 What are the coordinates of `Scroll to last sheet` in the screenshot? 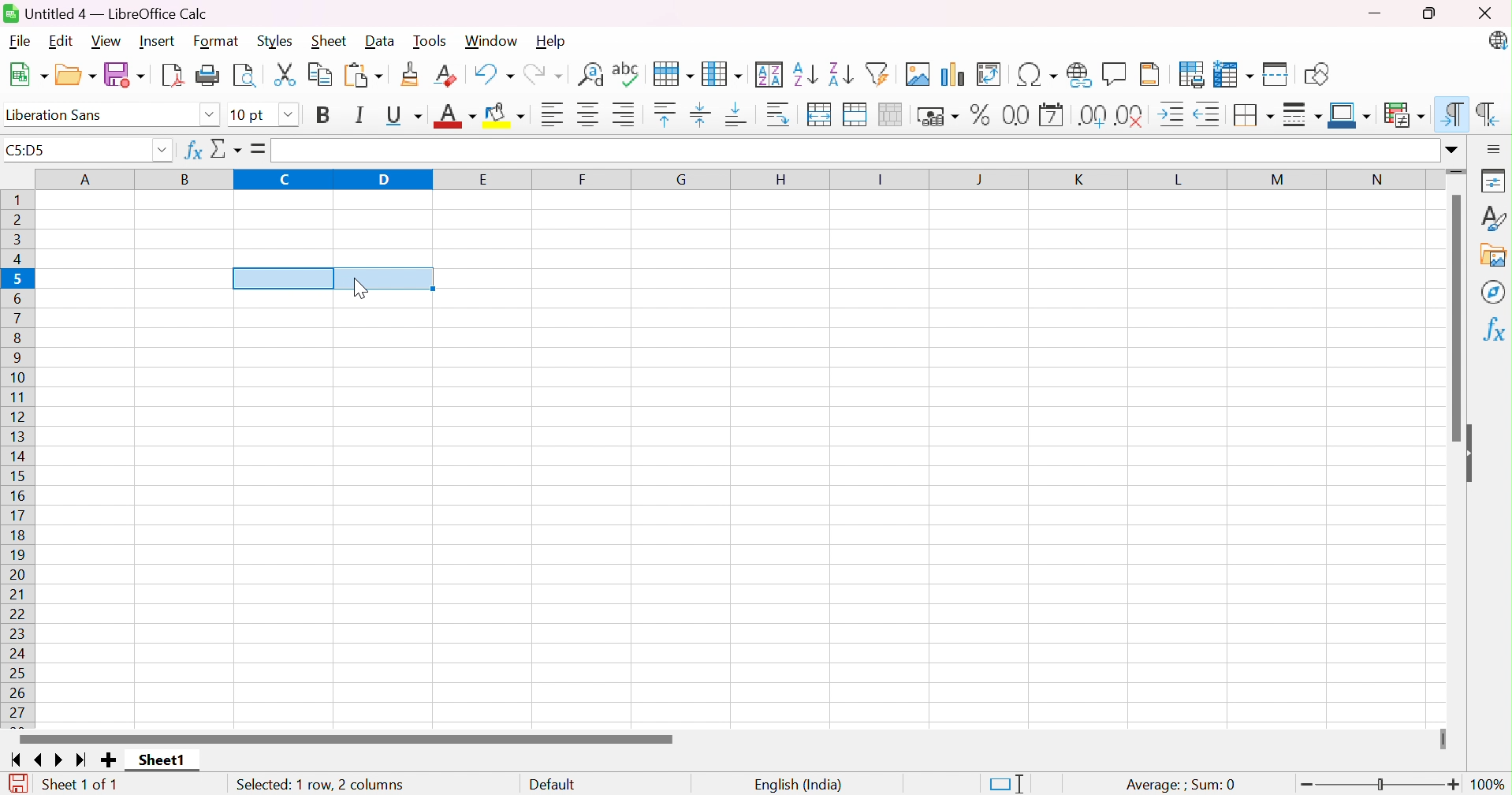 It's located at (84, 762).